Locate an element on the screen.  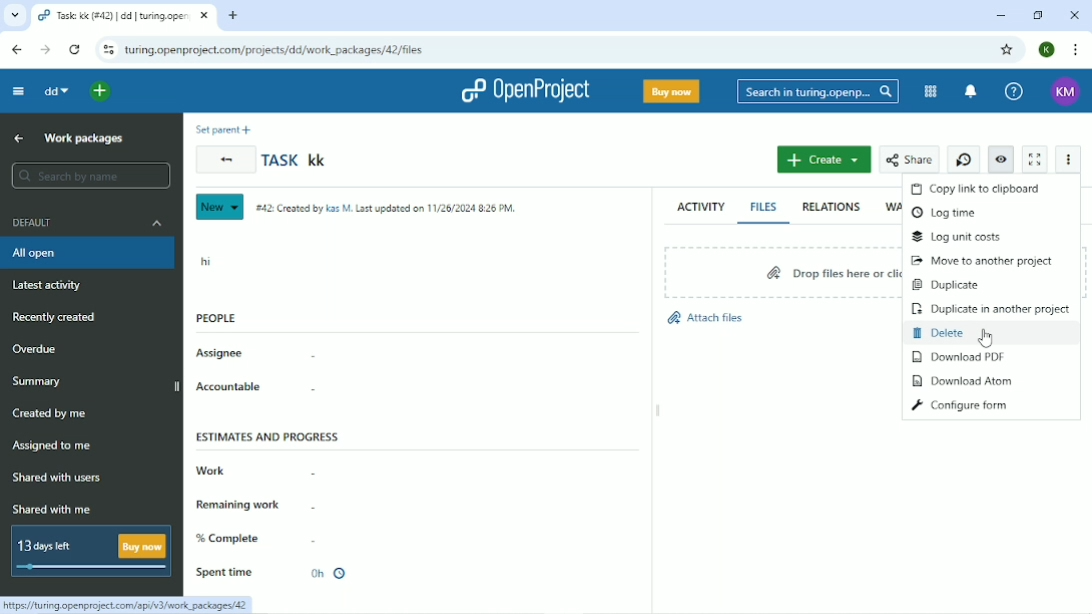
Reload this page is located at coordinates (76, 51).